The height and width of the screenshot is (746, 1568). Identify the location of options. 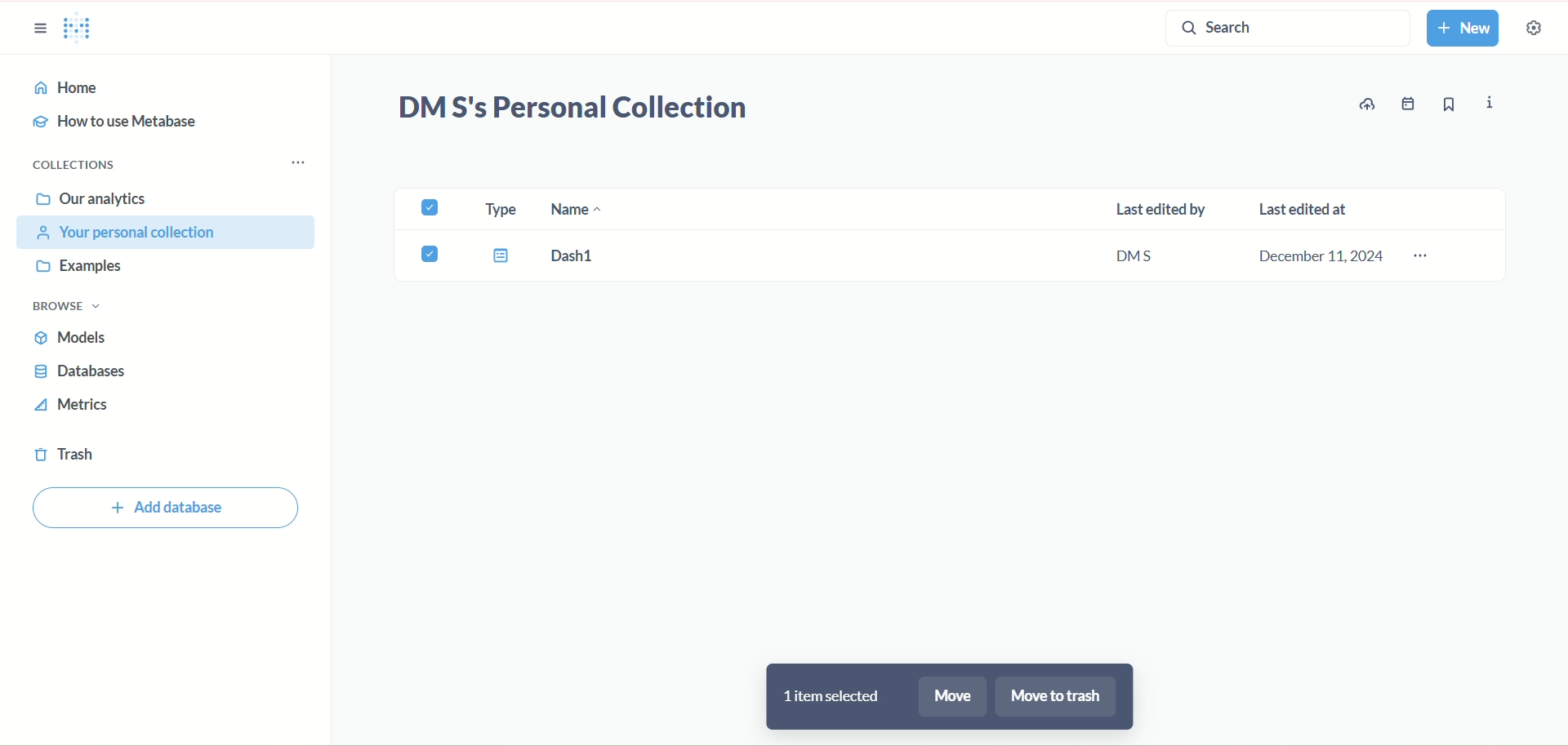
(1419, 255).